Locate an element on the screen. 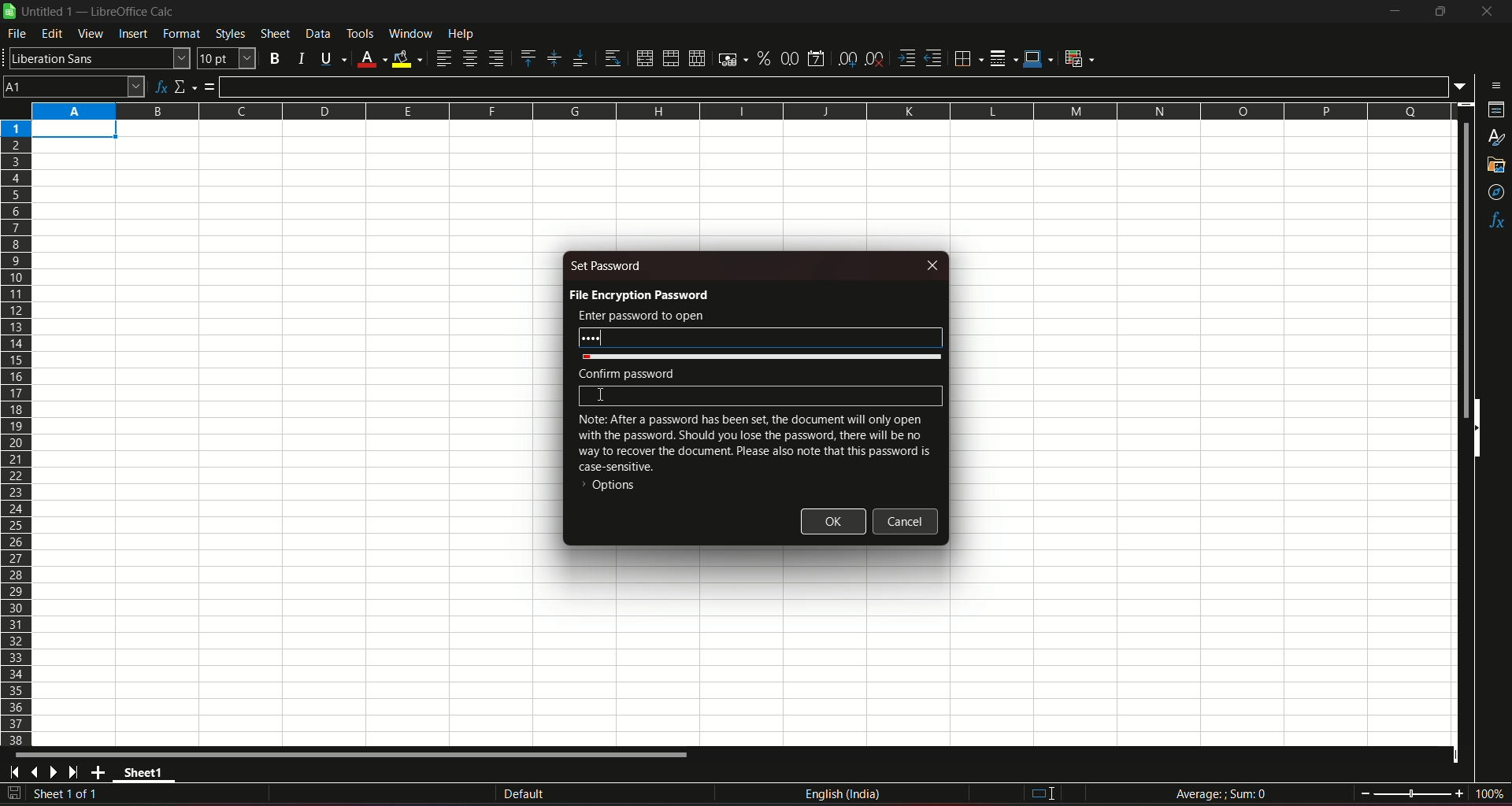 This screenshot has height=806, width=1512. zoom factor is located at coordinates (1488, 794).